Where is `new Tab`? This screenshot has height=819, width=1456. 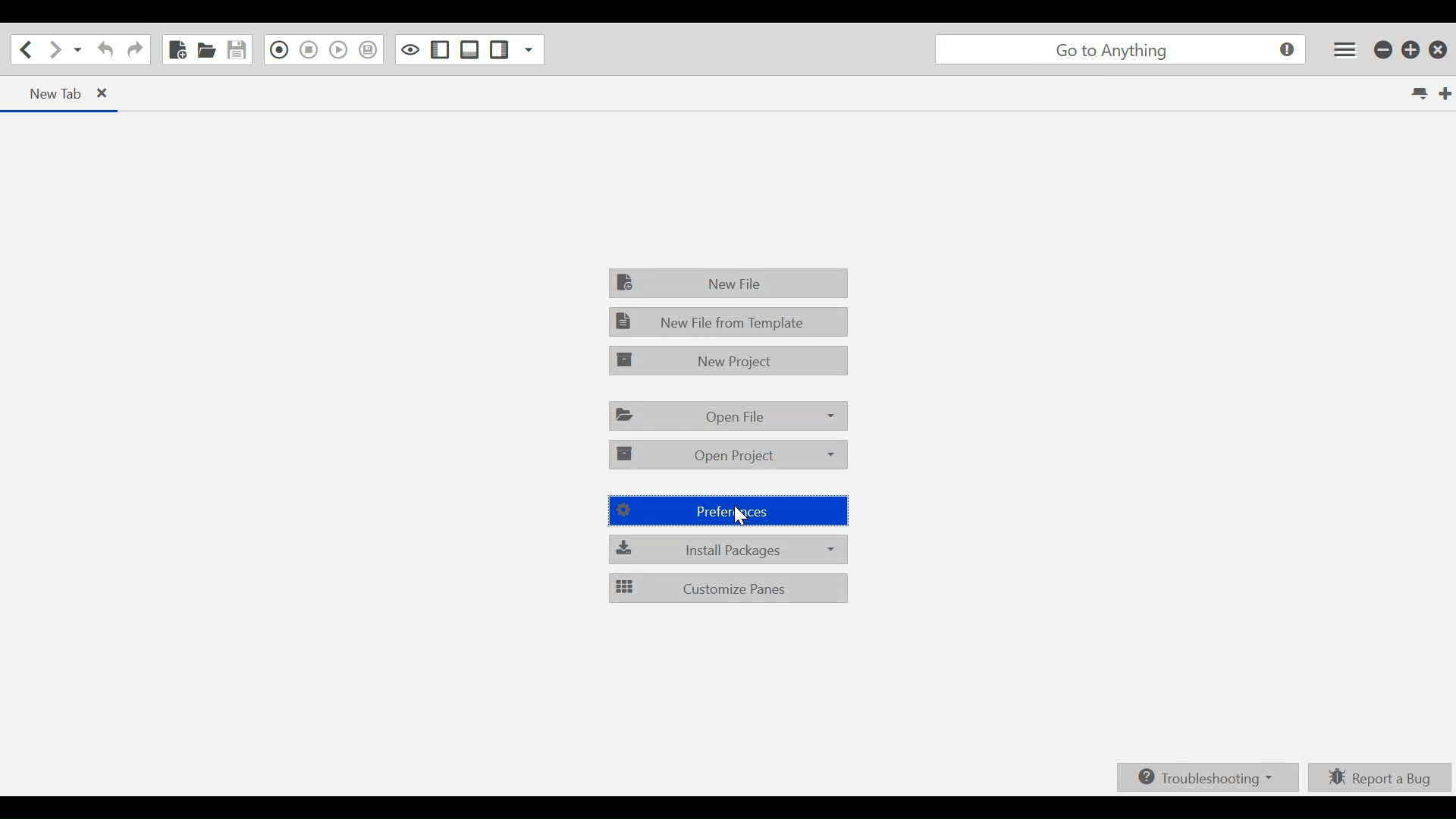
new Tab is located at coordinates (53, 93).